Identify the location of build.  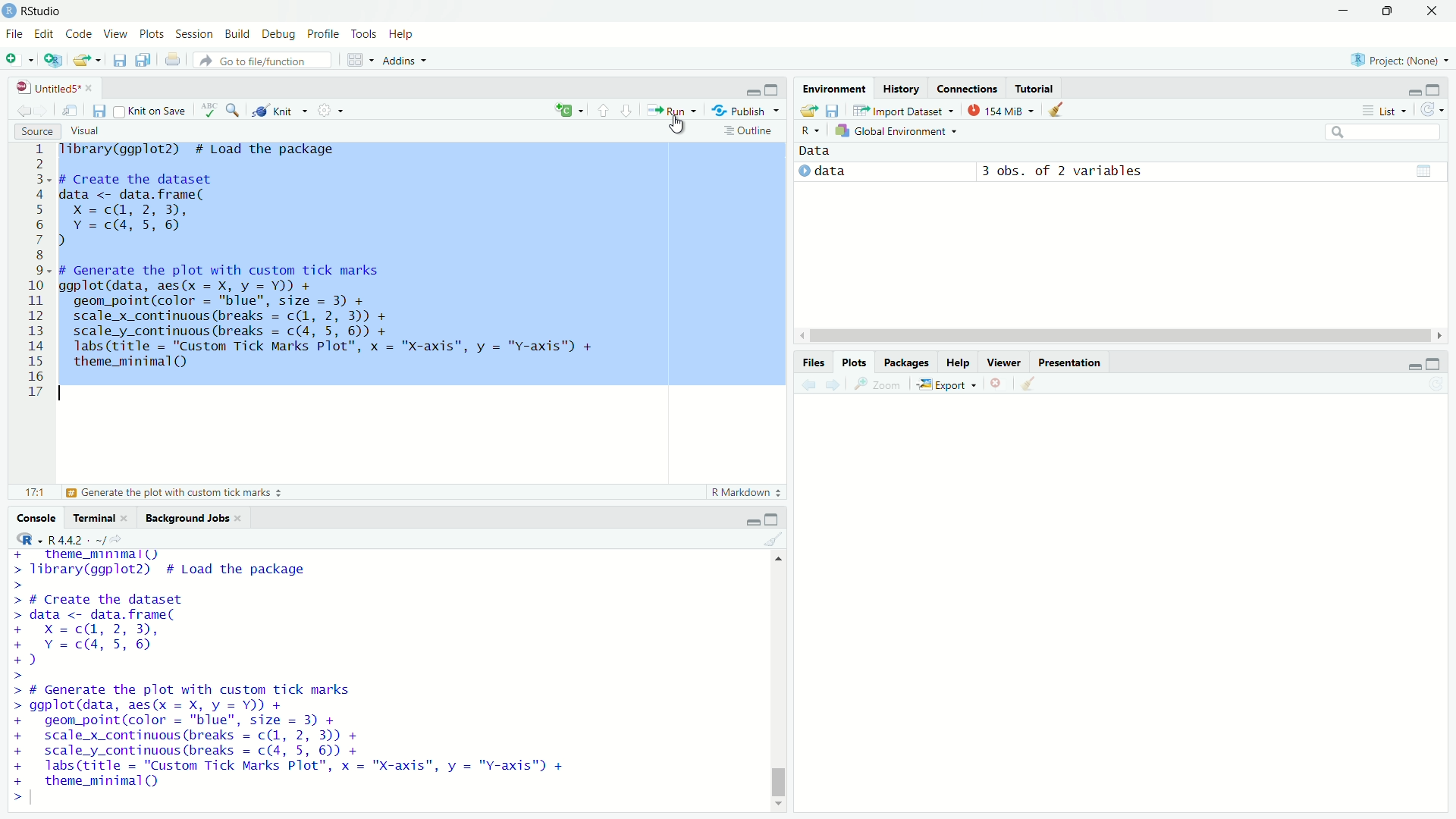
(239, 33).